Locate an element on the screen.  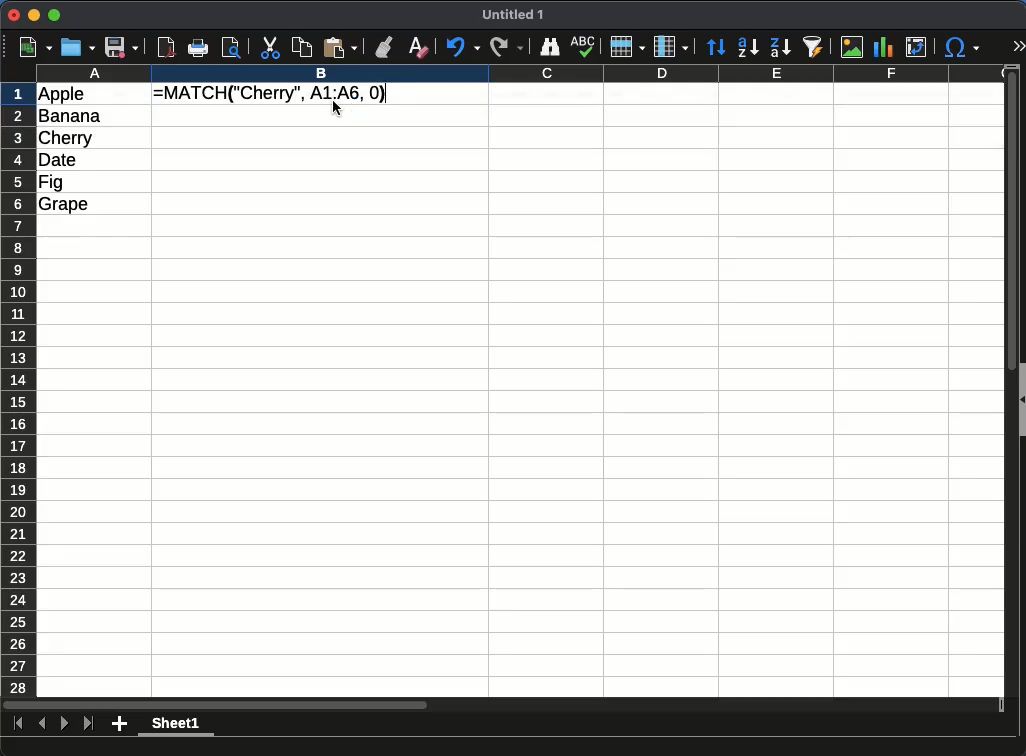
copy is located at coordinates (301, 48).